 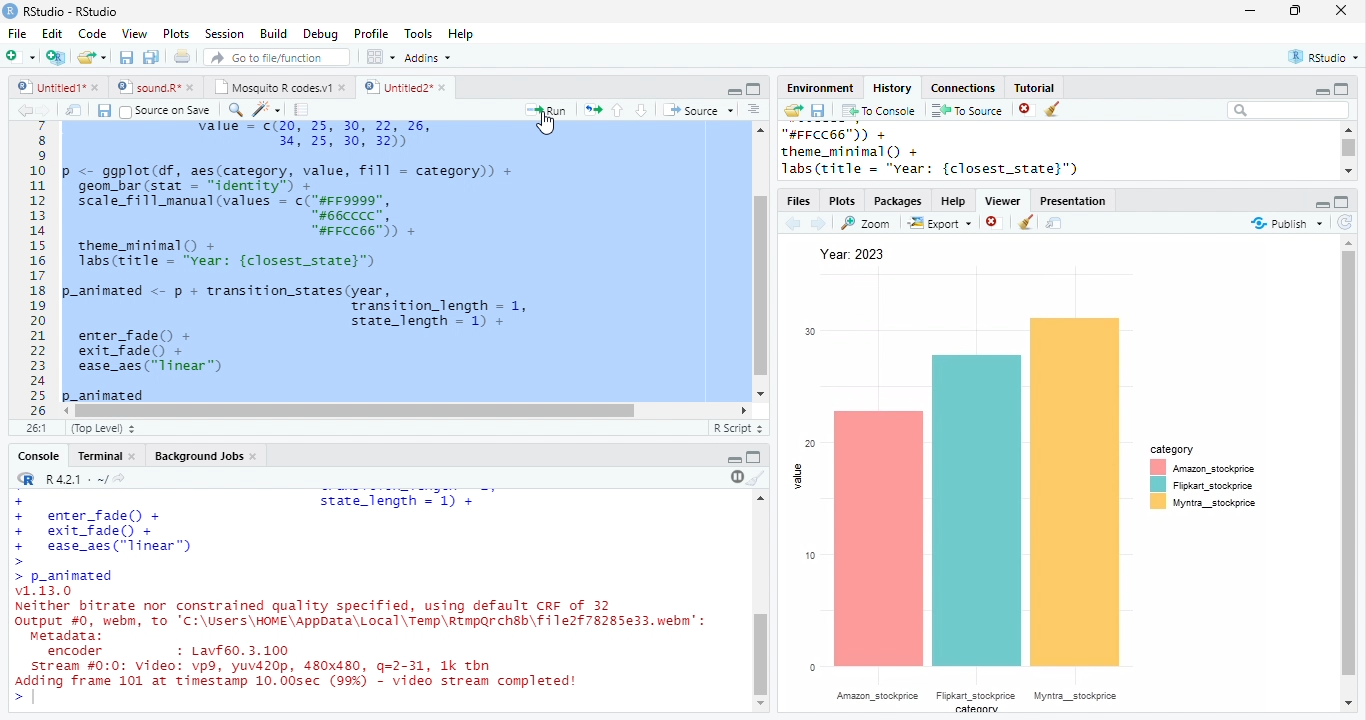 I want to click on Maximize, so click(x=754, y=457).